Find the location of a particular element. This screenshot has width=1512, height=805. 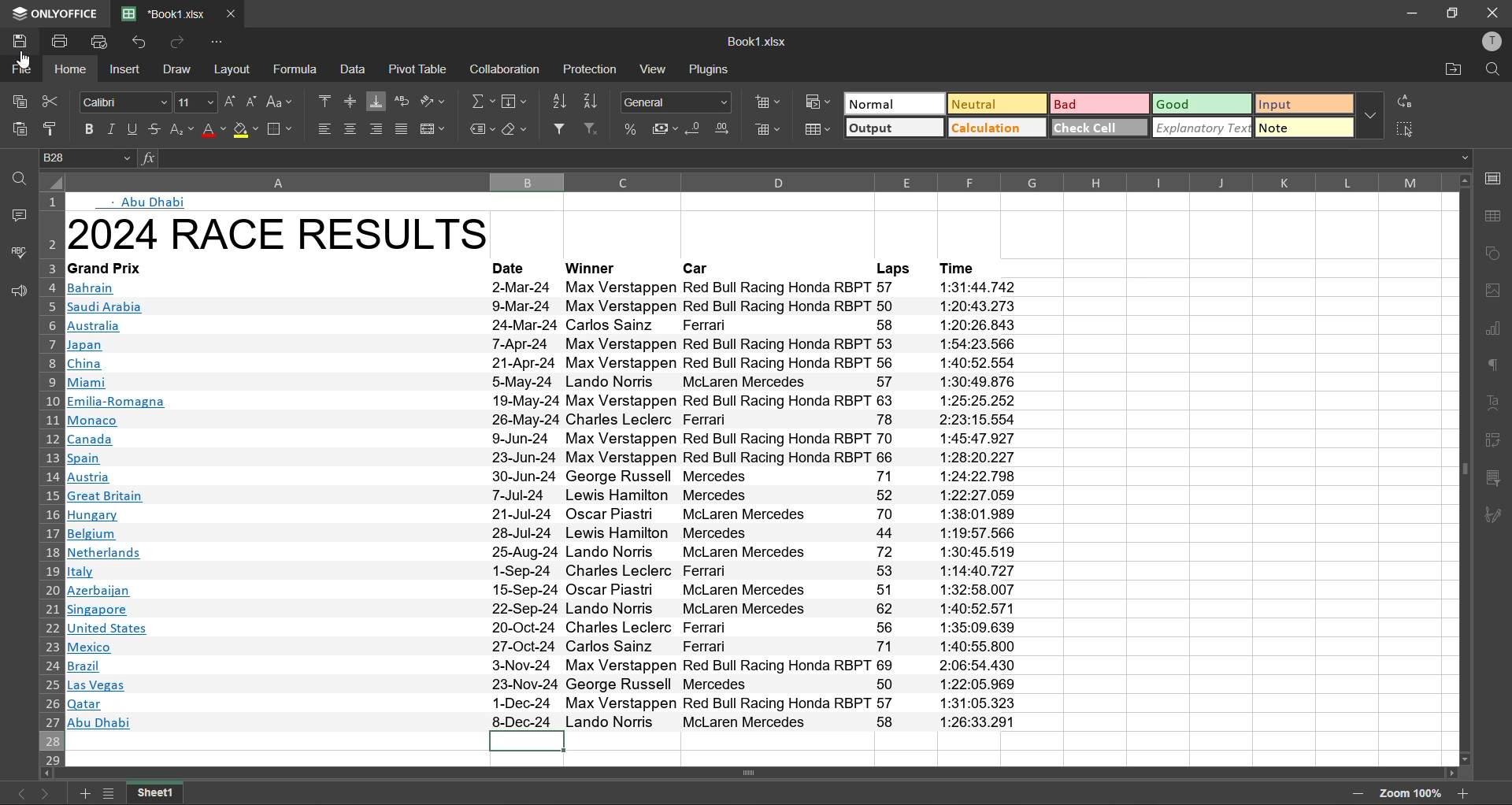

explanatory text is located at coordinates (1203, 128).